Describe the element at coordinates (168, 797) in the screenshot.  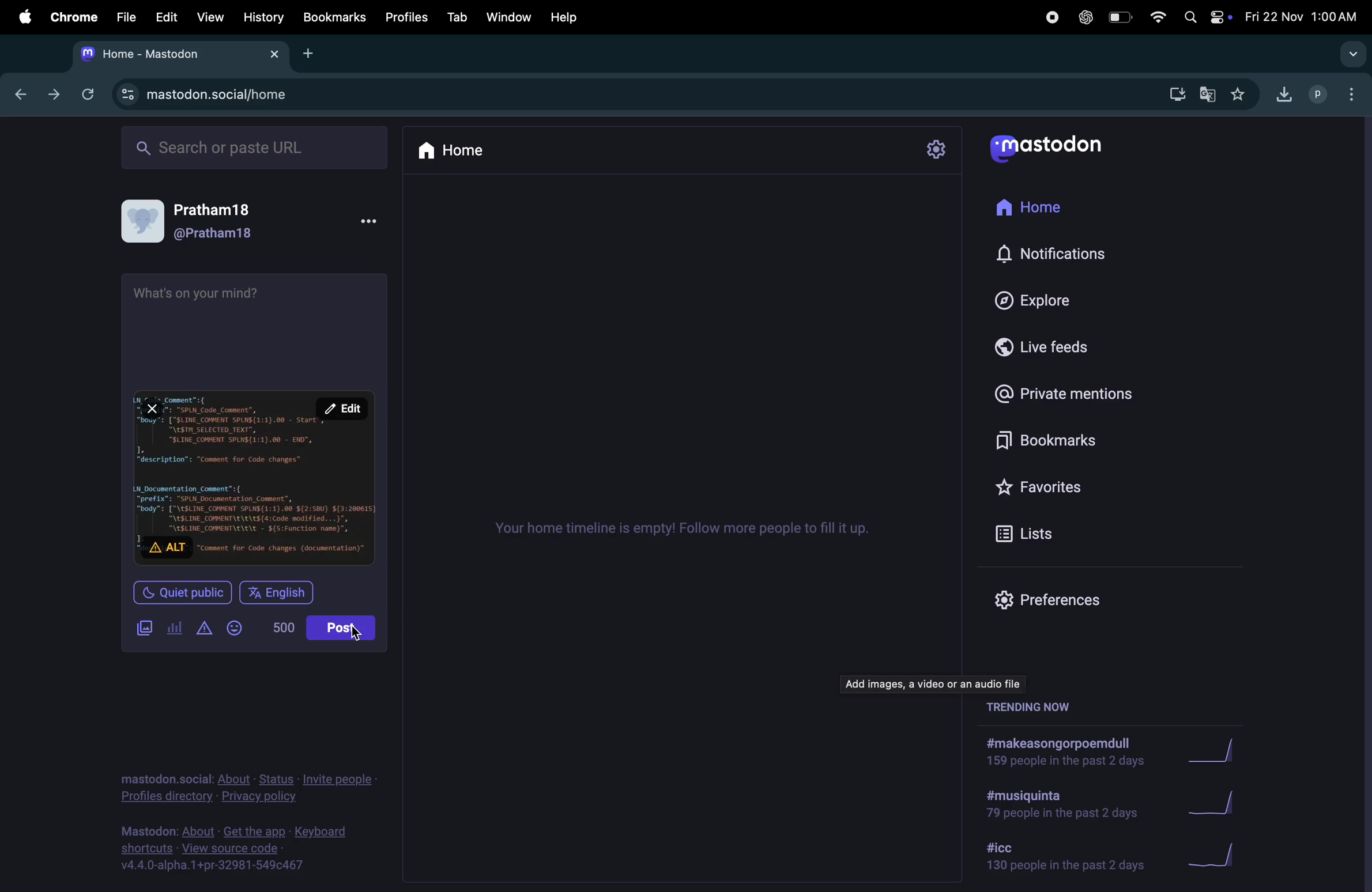
I see `profiles directory` at that location.